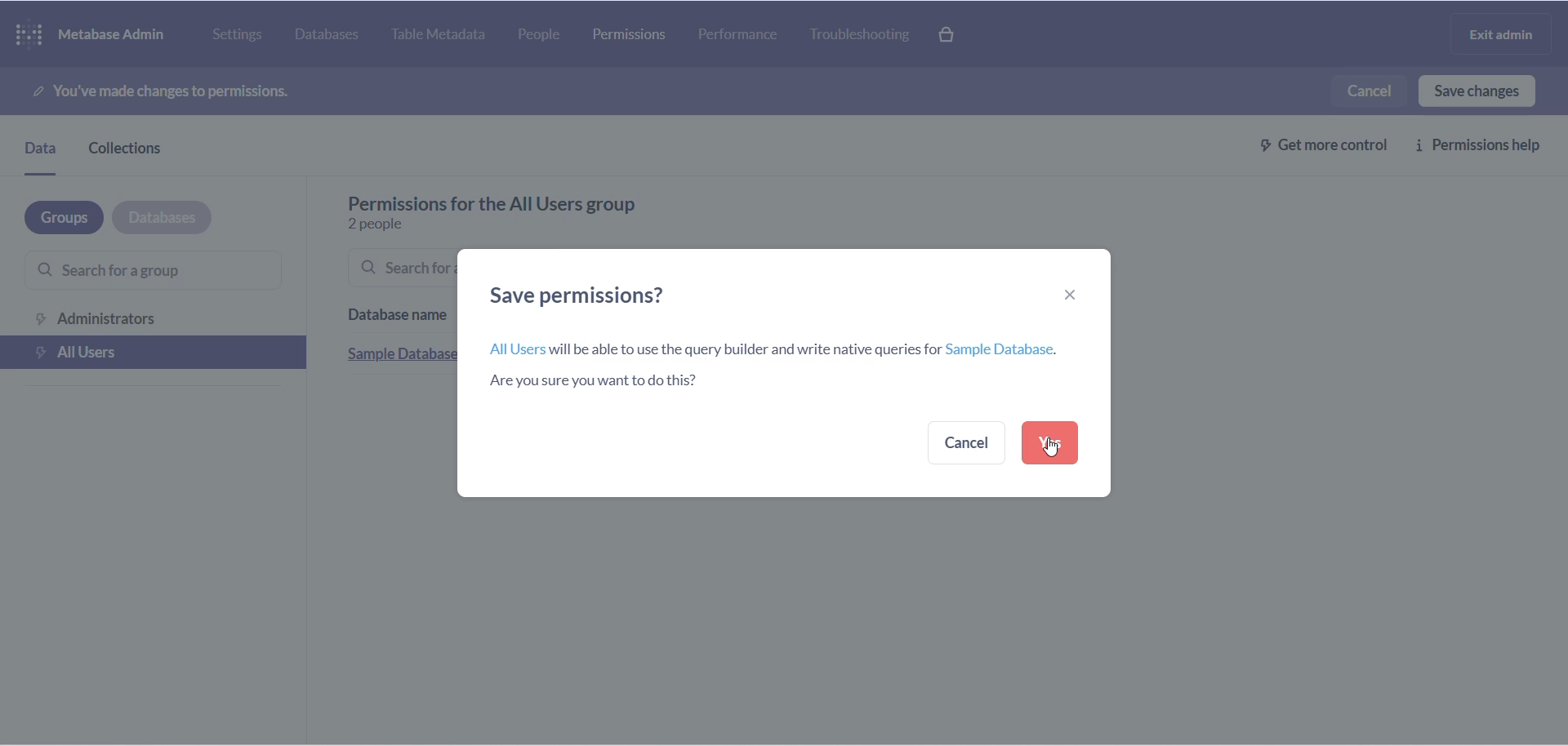 This screenshot has width=1568, height=746. I want to click on database name, so click(396, 311).